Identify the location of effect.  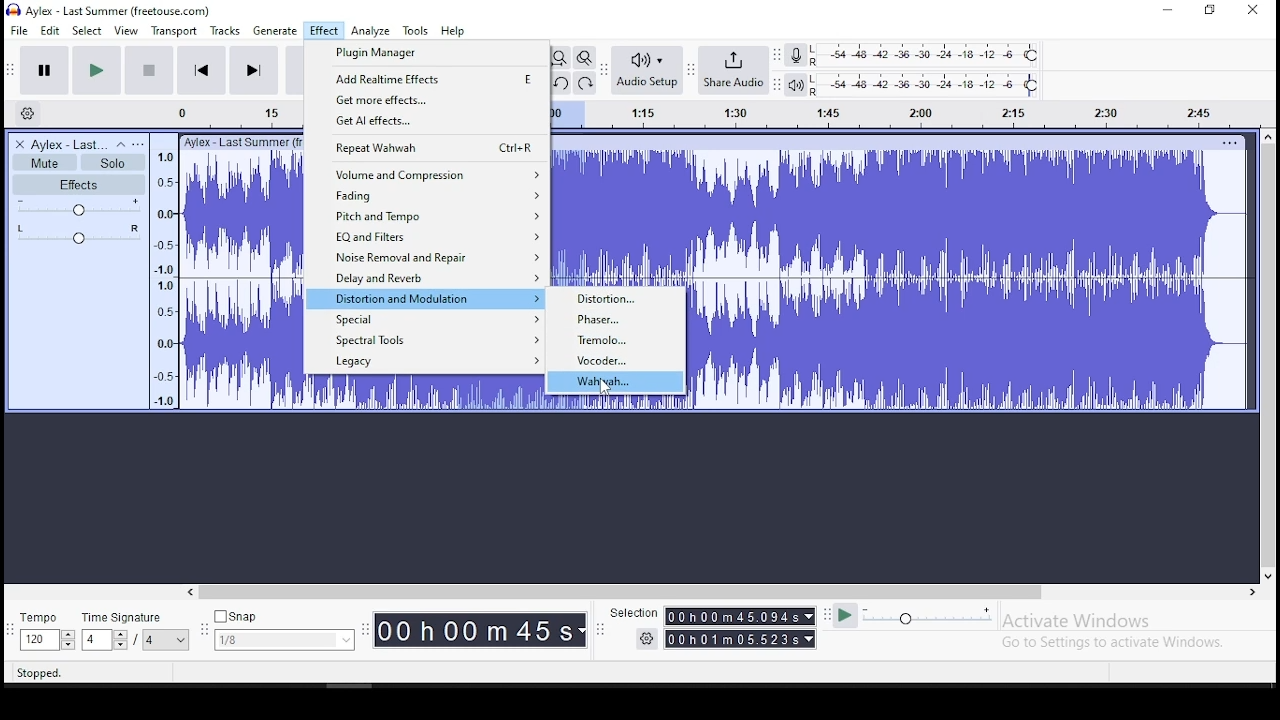
(324, 30).